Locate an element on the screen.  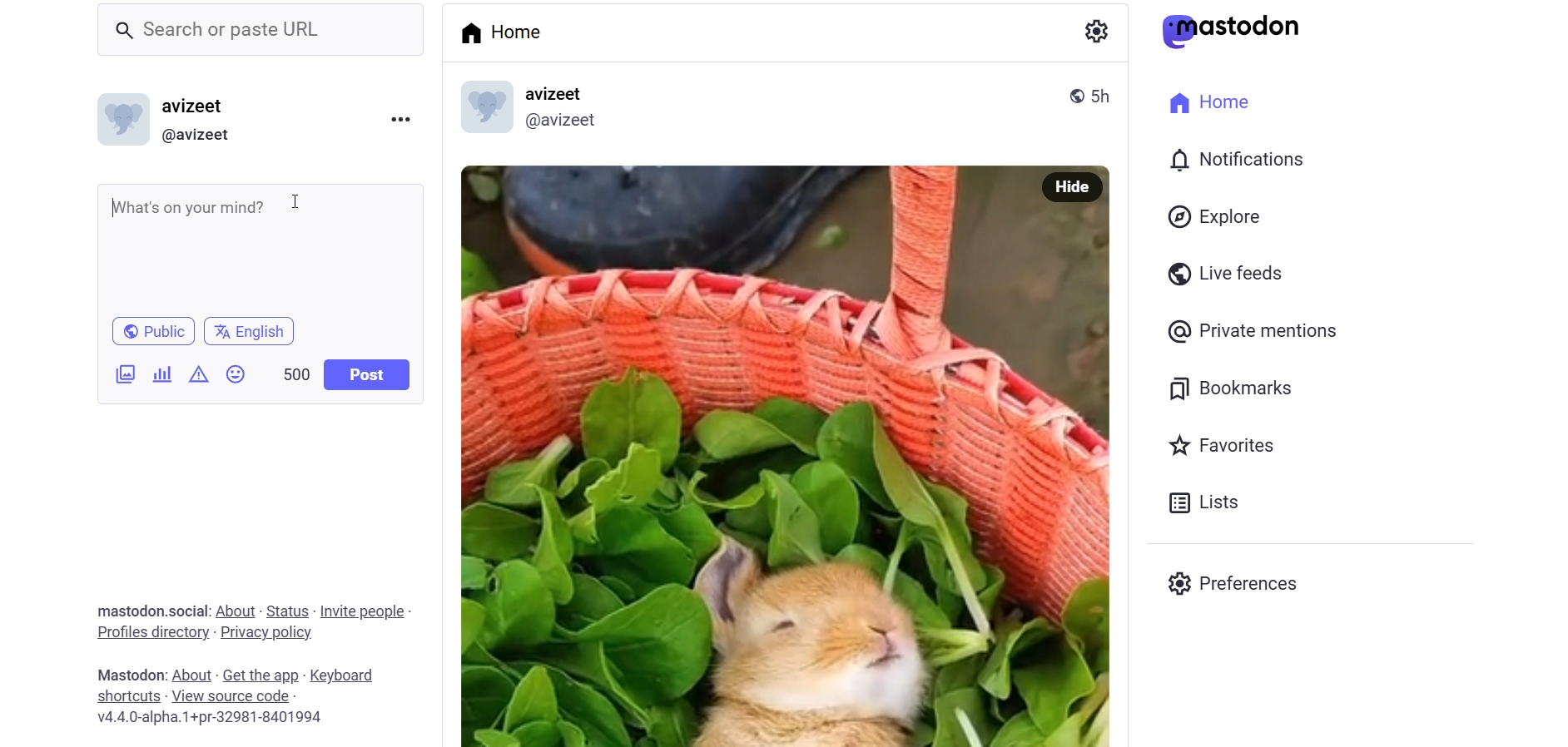
hide is located at coordinates (1078, 186).